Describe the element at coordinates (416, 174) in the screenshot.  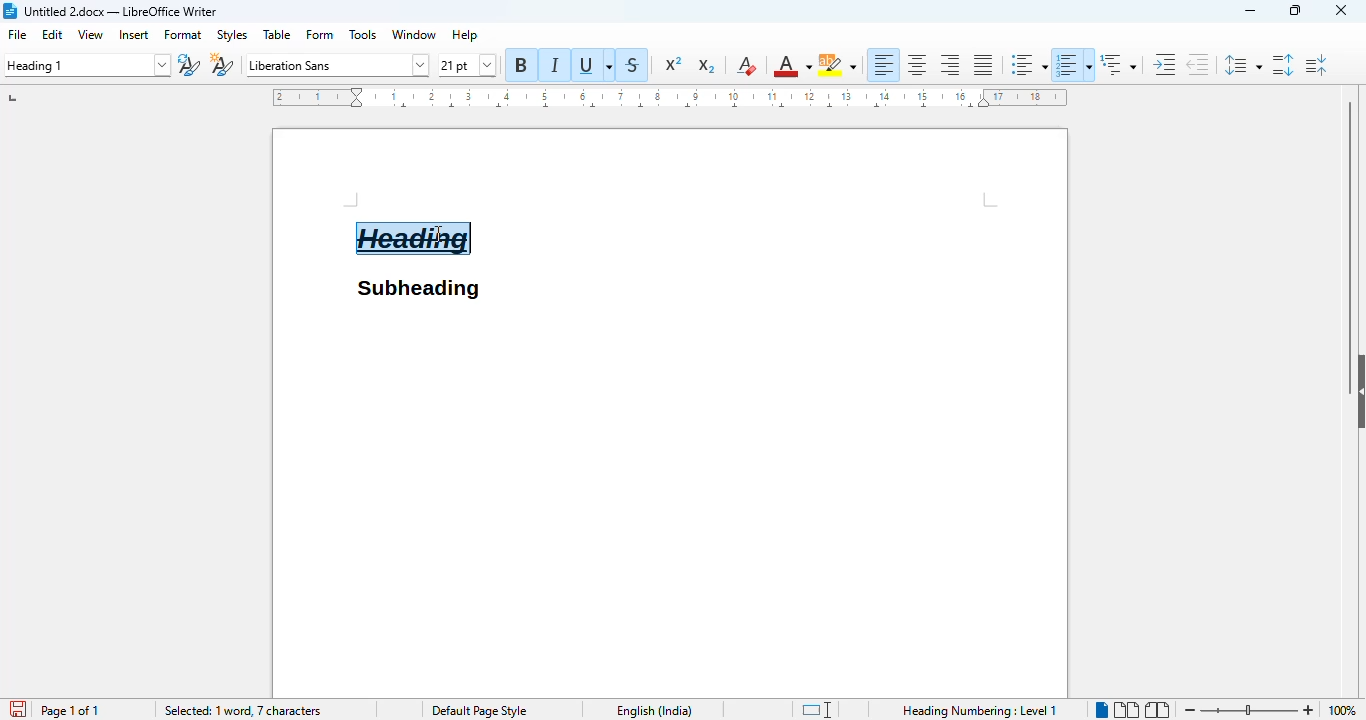
I see `Document` at that location.